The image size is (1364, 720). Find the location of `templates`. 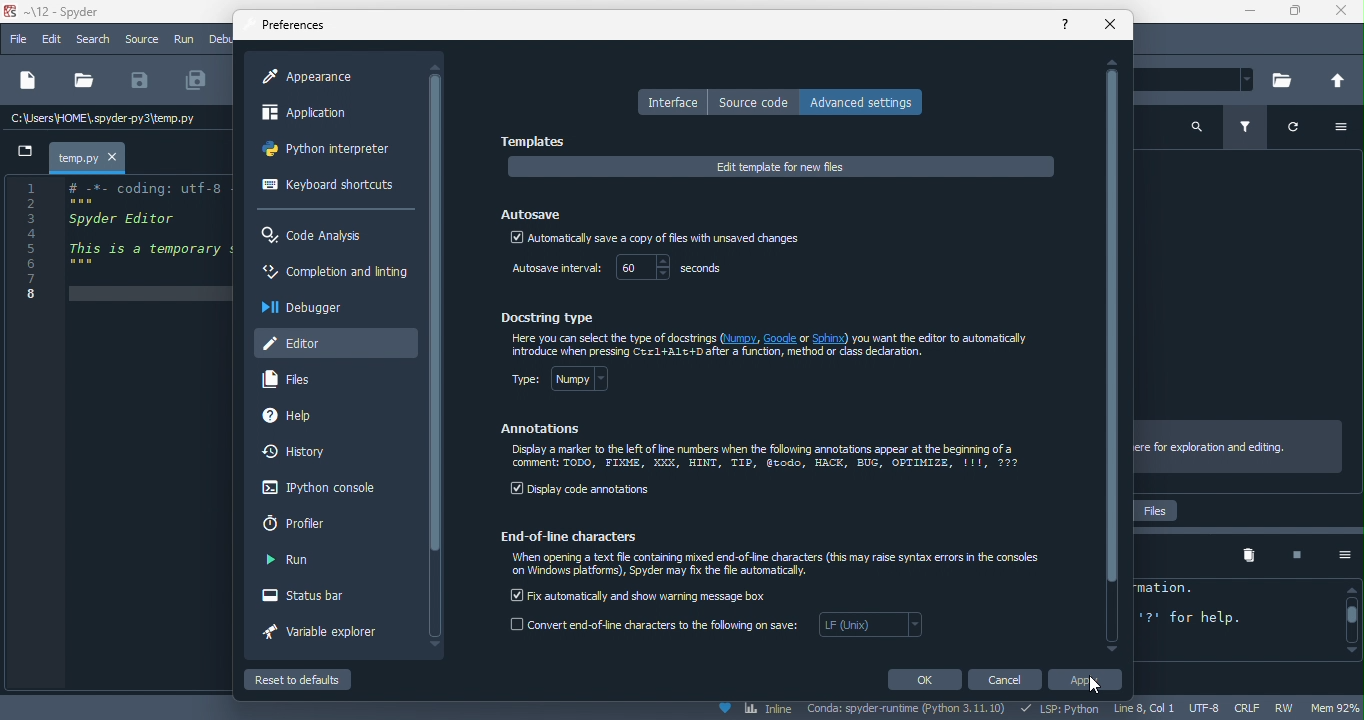

templates is located at coordinates (538, 142).